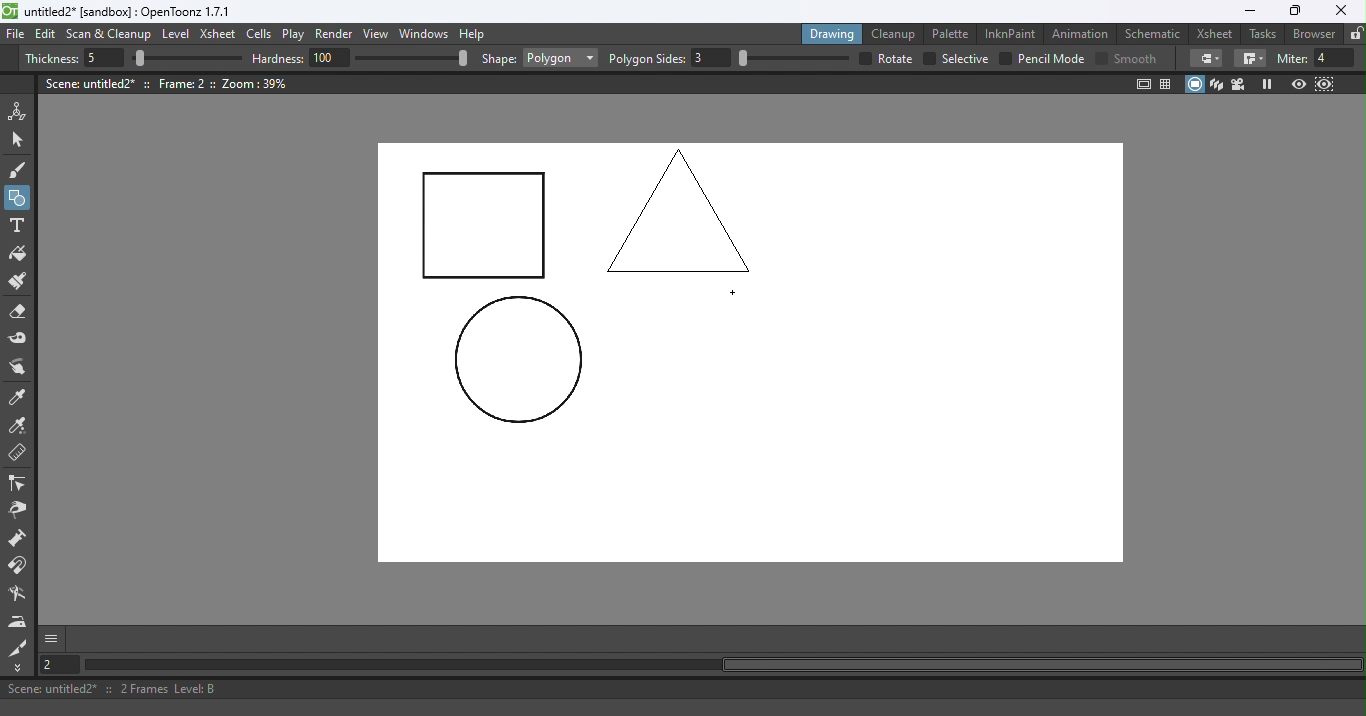 The height and width of the screenshot is (716, 1366). I want to click on Type tool, so click(17, 227).